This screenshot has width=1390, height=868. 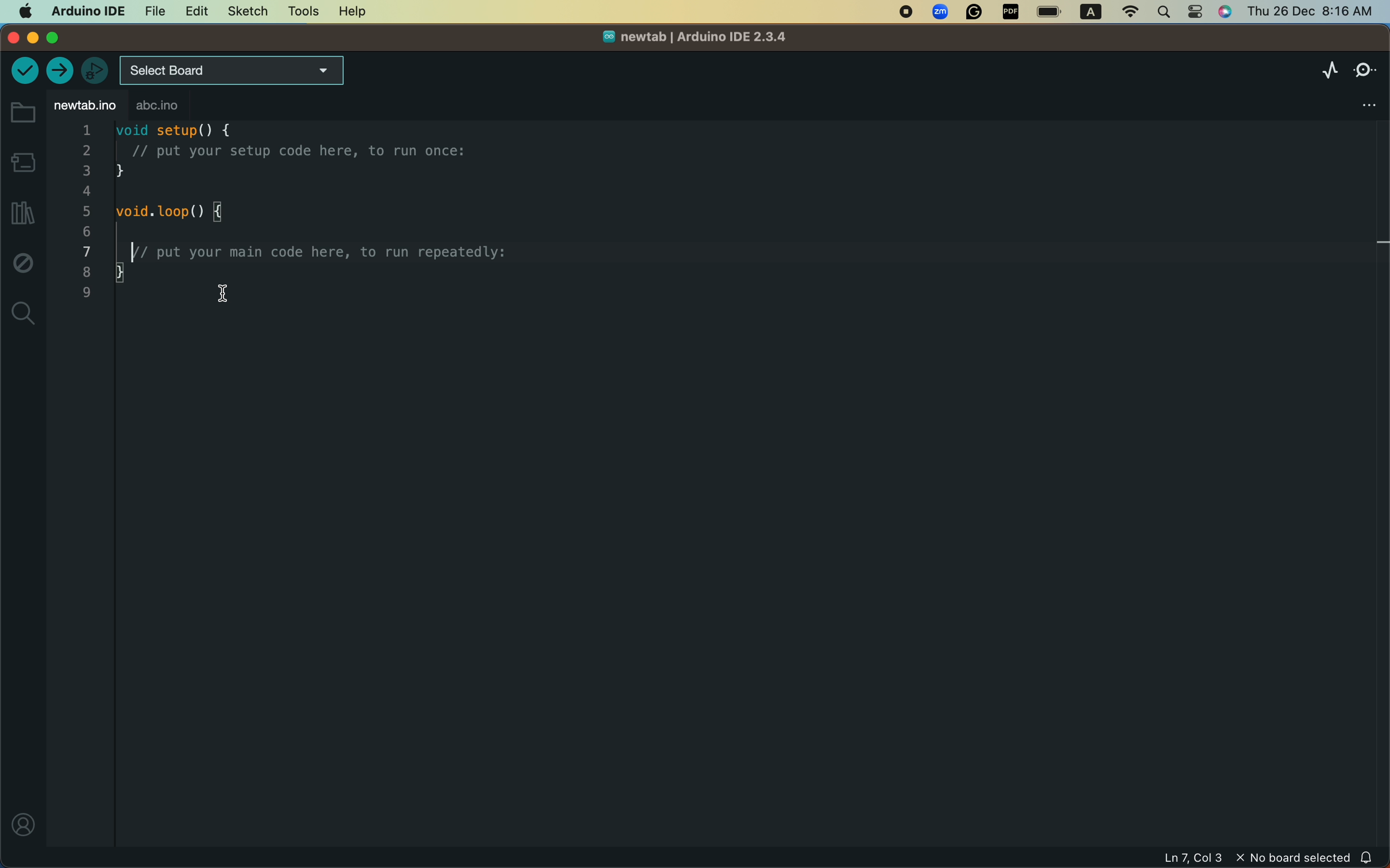 I want to click on file setting, so click(x=1354, y=101).